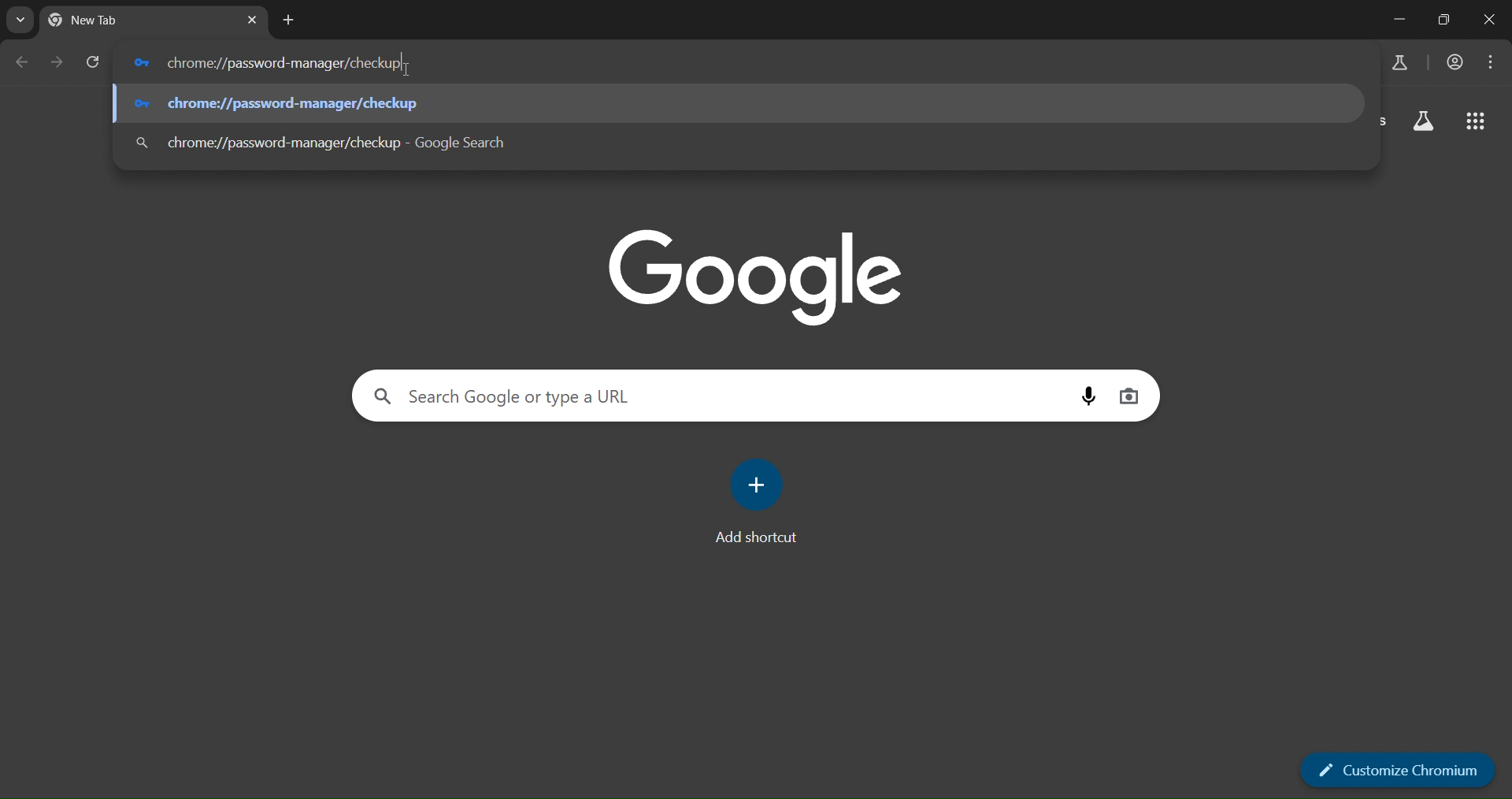  What do you see at coordinates (762, 277) in the screenshot?
I see `image` at bounding box center [762, 277].